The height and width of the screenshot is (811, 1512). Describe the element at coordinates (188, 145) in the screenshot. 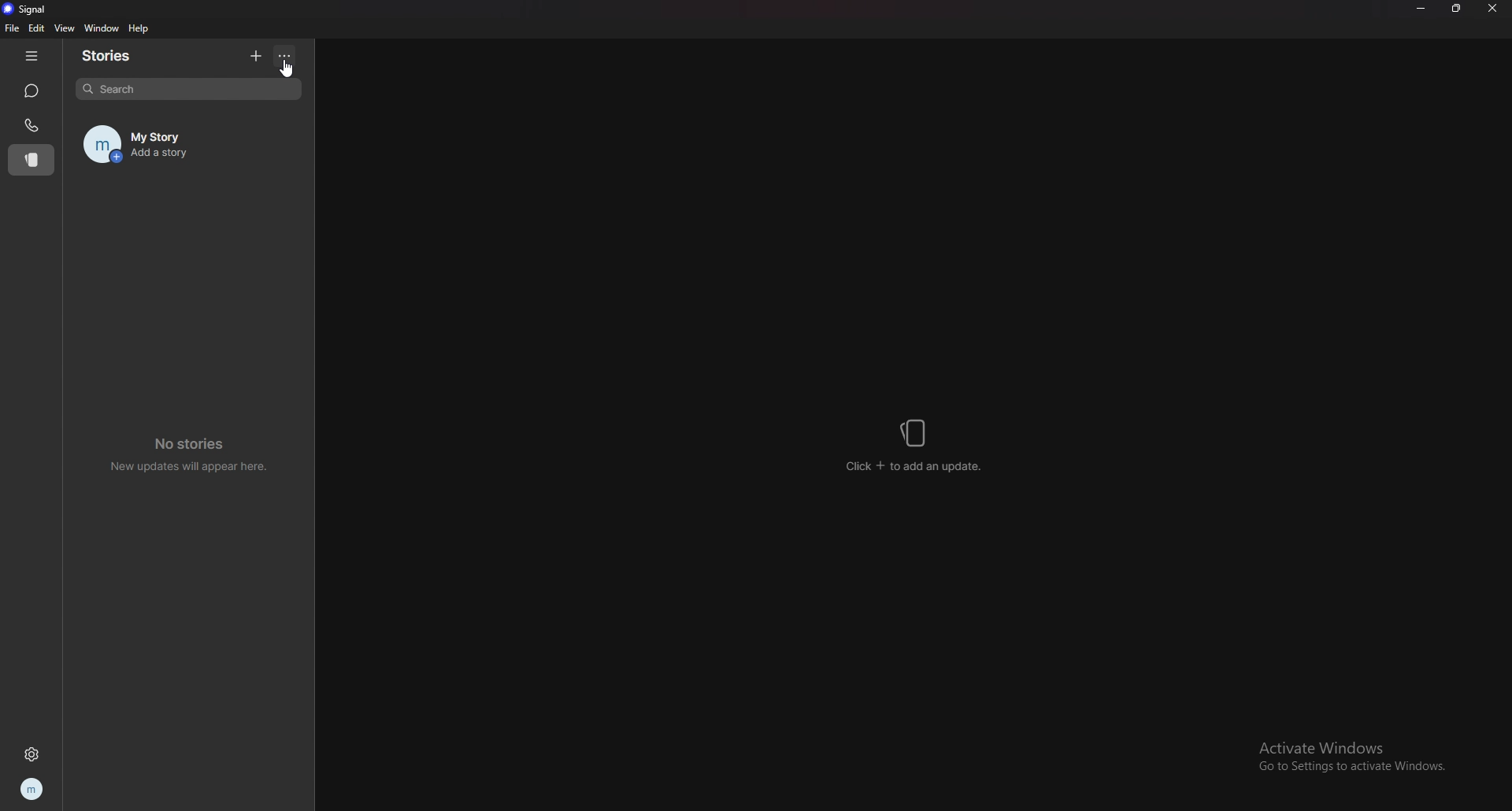

I see `my story` at that location.